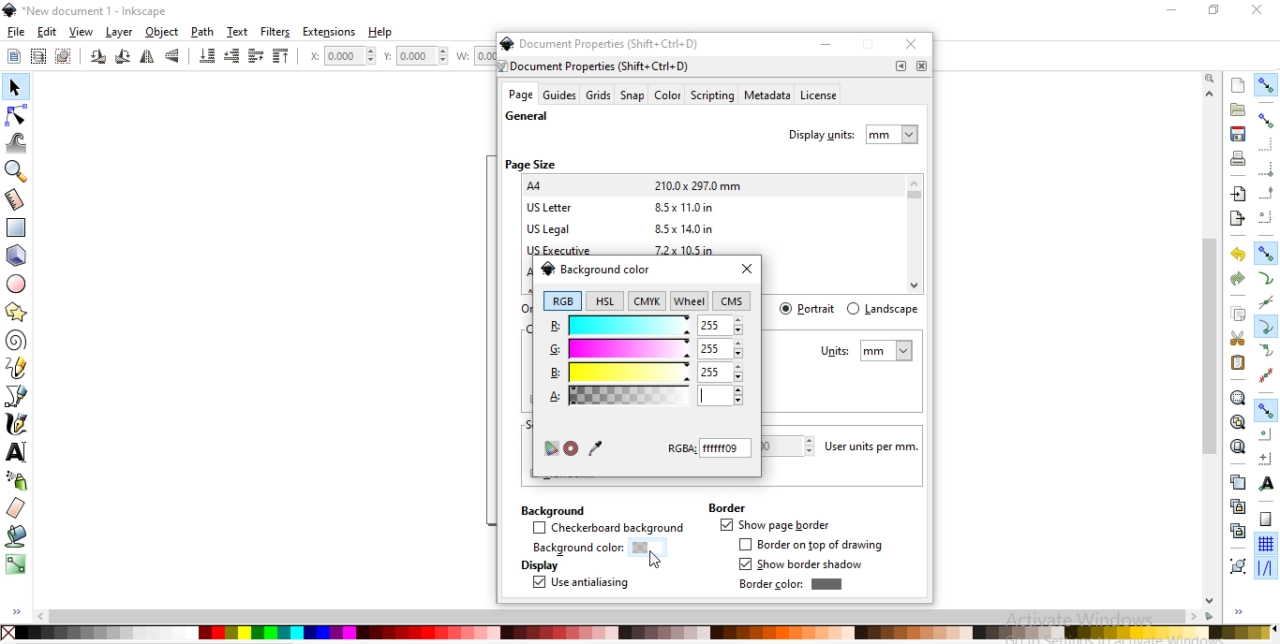 The image size is (1280, 644). I want to click on snap midpoints of bounding box edges, so click(1267, 193).